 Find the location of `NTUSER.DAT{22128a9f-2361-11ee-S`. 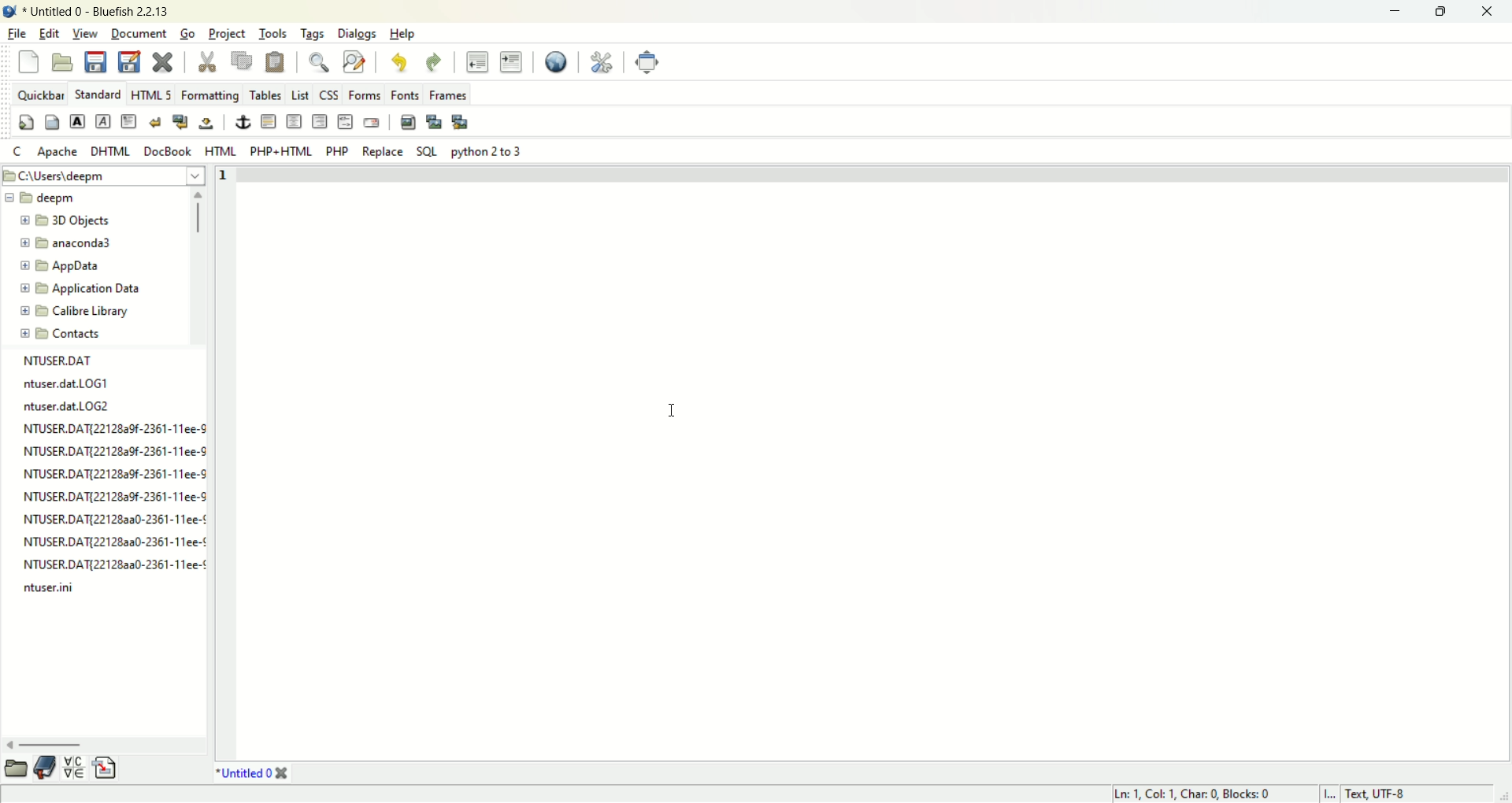

NTUSER.DAT{22128a9f-2361-11ee-S is located at coordinates (108, 473).